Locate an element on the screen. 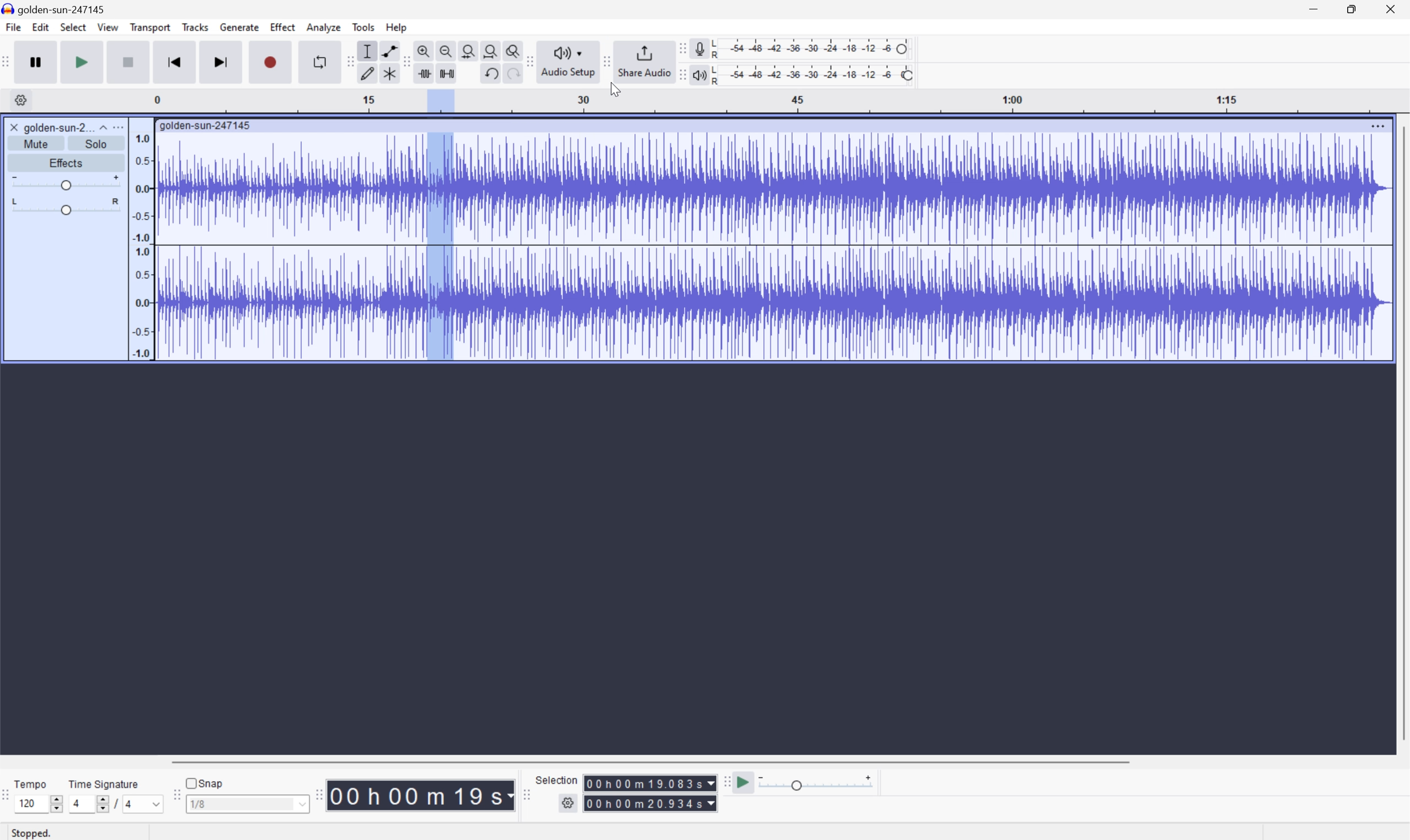 This screenshot has width=1410, height=840. Audacity transport layer toolbar is located at coordinates (6, 62).